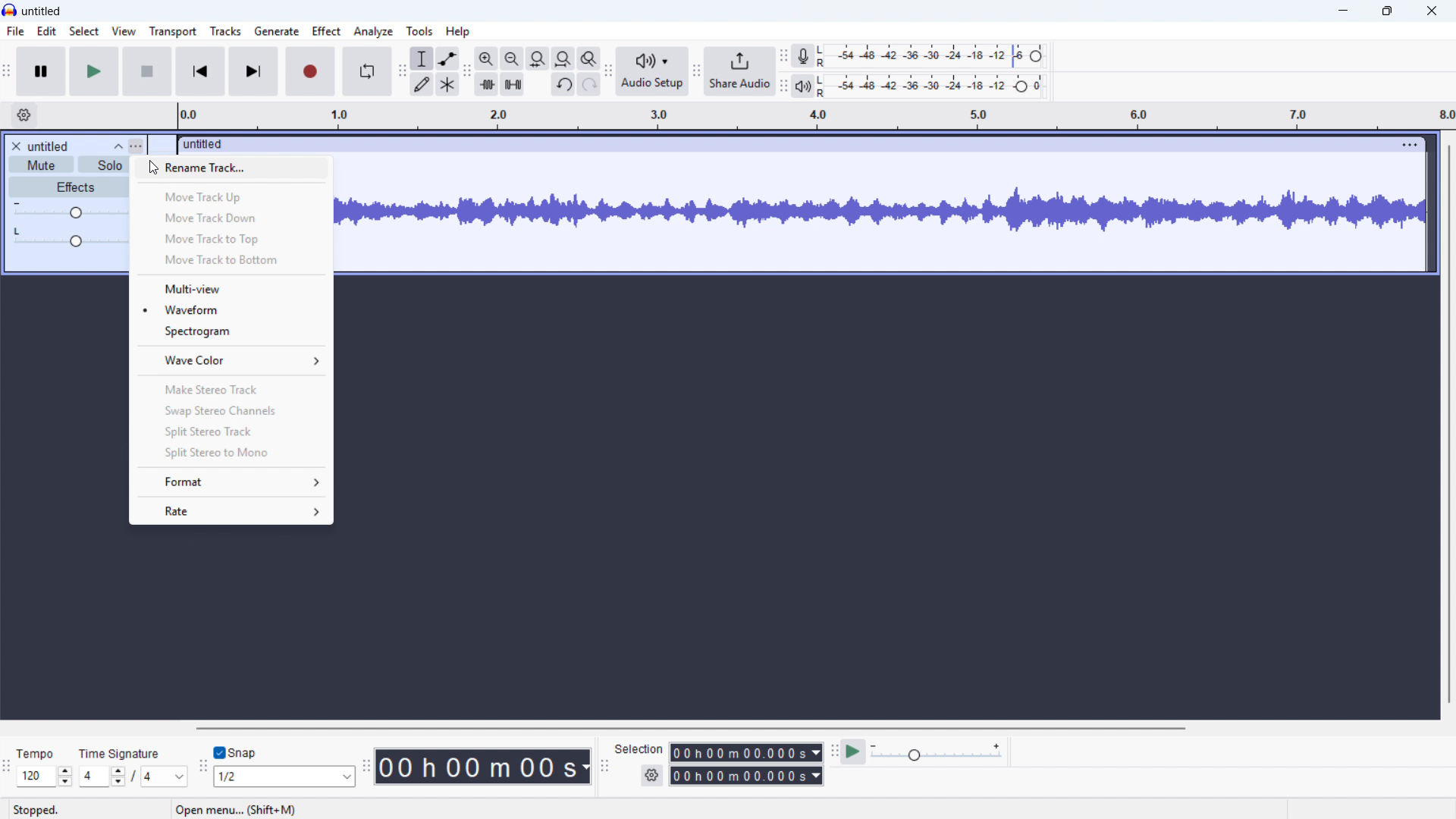  Describe the element at coordinates (747, 753) in the screenshot. I see `Selection start time ` at that location.